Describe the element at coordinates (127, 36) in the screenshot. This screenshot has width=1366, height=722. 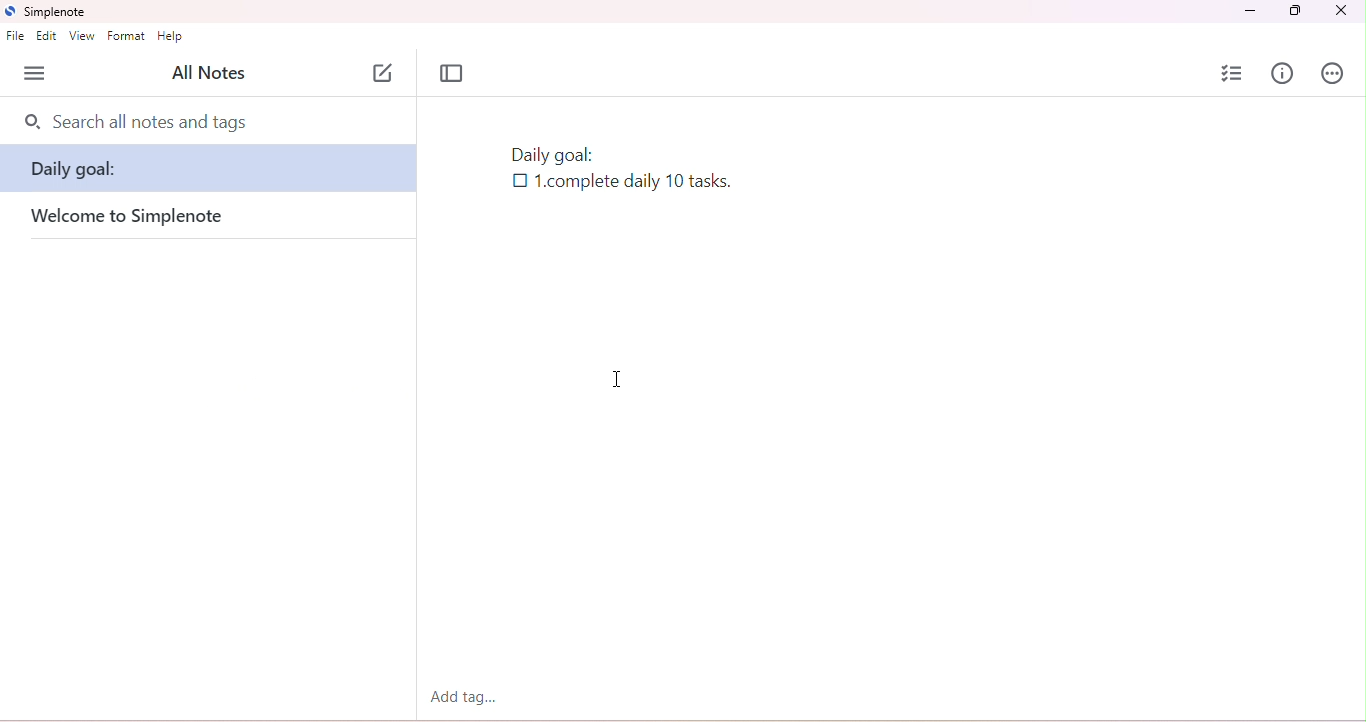
I see `format` at that location.